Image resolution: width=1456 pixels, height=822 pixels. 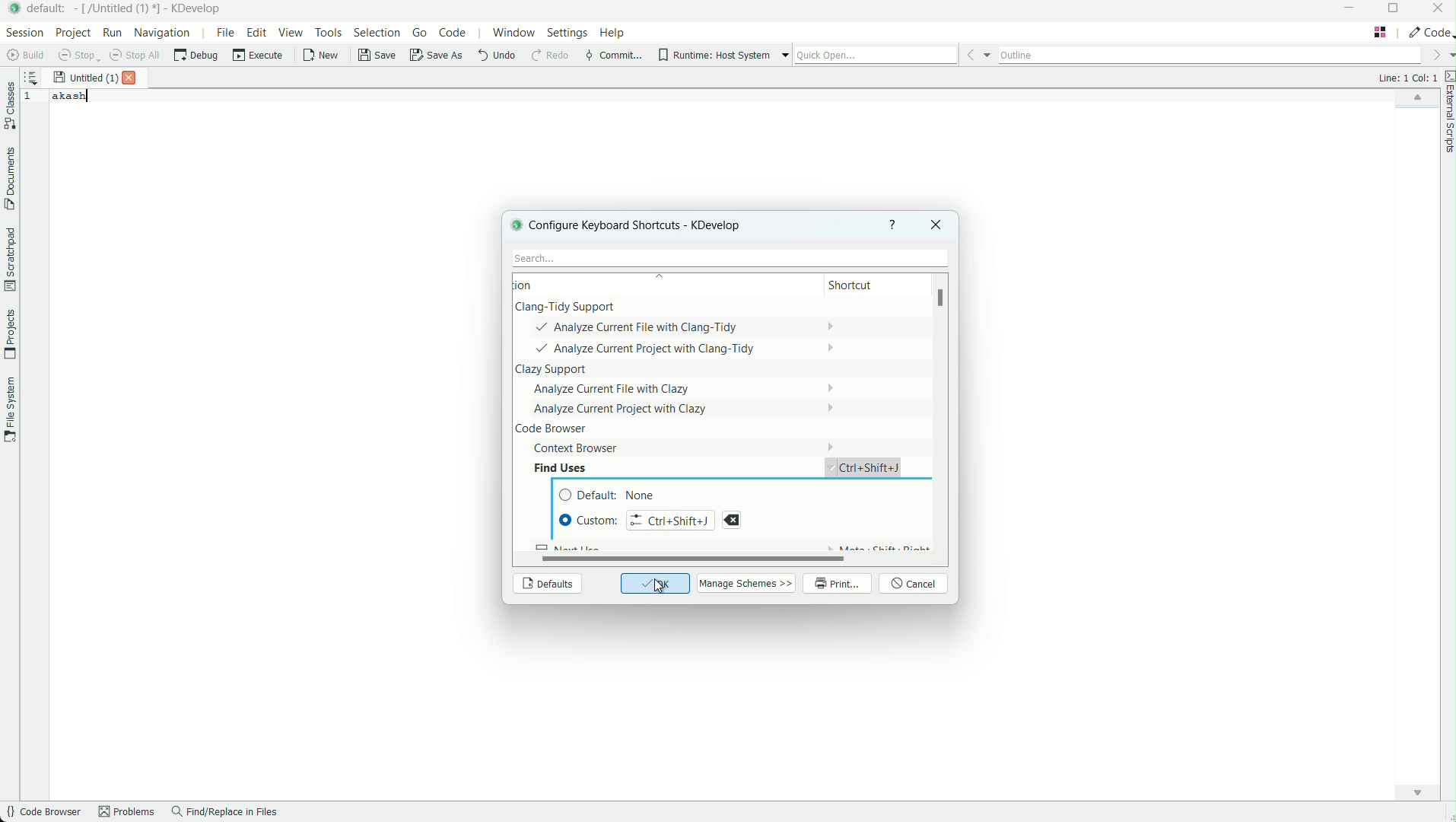 I want to click on remove current shortcut, so click(x=734, y=520).